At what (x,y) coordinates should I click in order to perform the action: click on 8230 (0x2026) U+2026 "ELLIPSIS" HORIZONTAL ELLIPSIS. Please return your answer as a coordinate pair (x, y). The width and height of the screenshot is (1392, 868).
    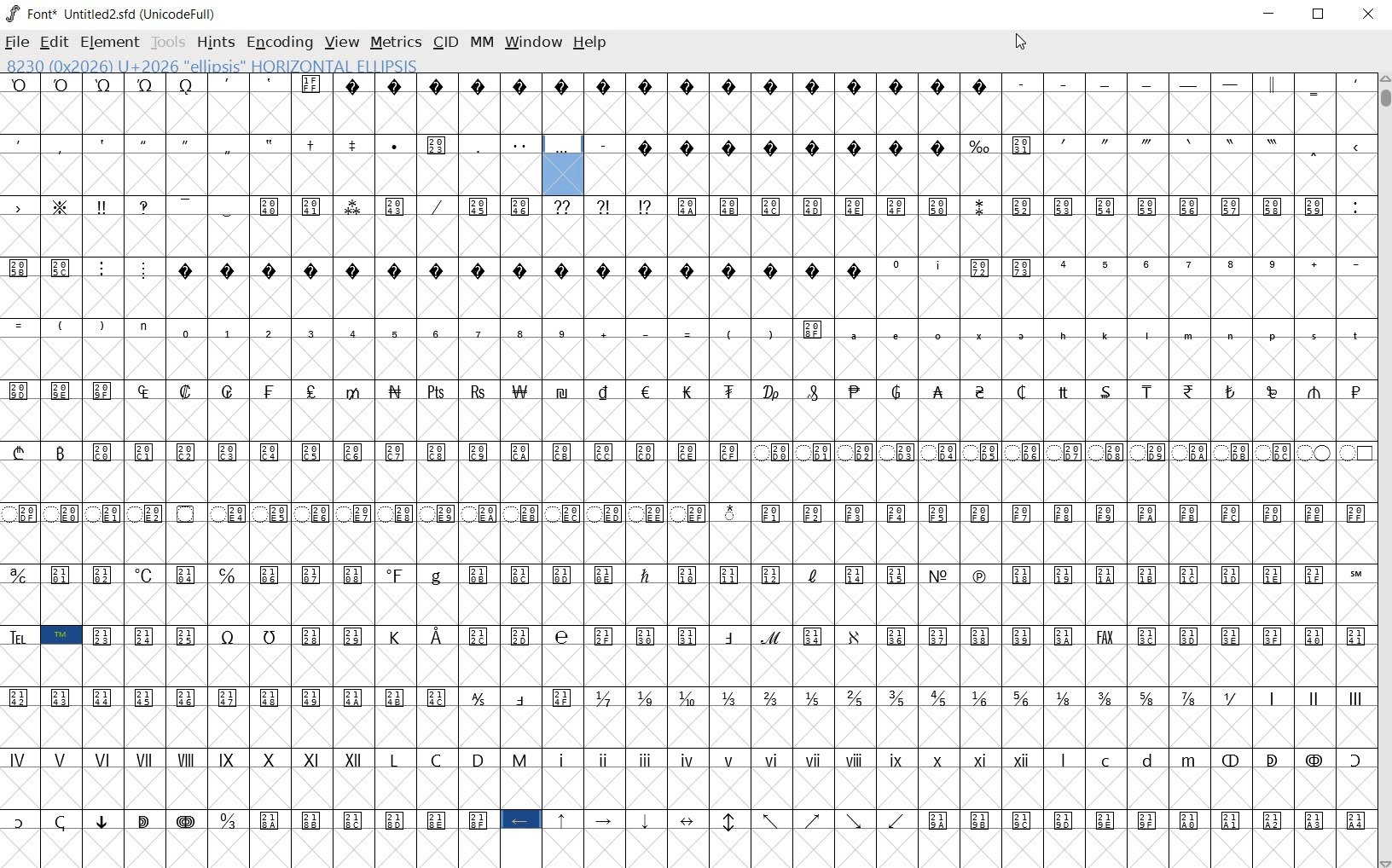
    Looking at the image, I should click on (564, 165).